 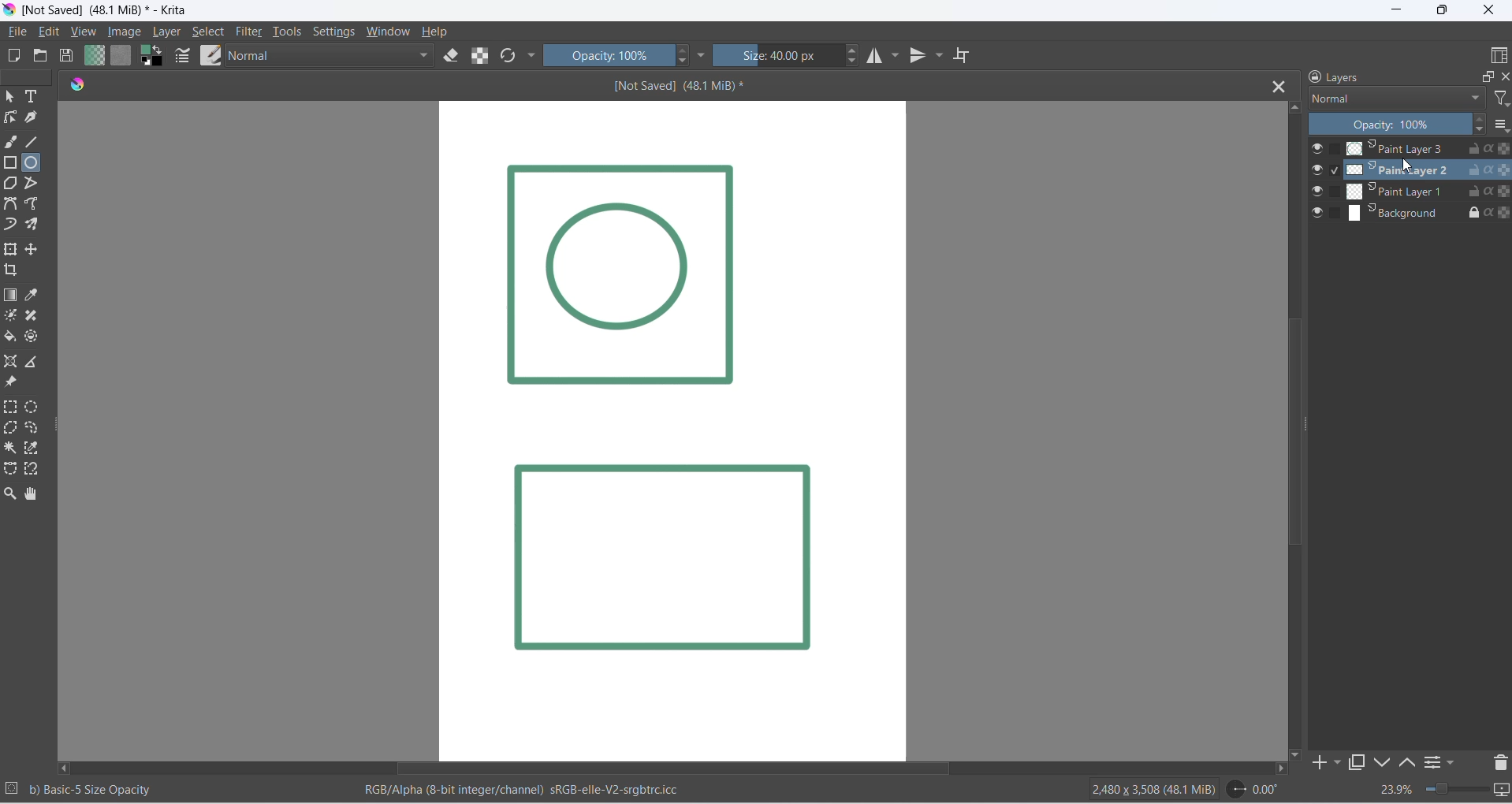 I want to click on line tool, so click(x=35, y=141).